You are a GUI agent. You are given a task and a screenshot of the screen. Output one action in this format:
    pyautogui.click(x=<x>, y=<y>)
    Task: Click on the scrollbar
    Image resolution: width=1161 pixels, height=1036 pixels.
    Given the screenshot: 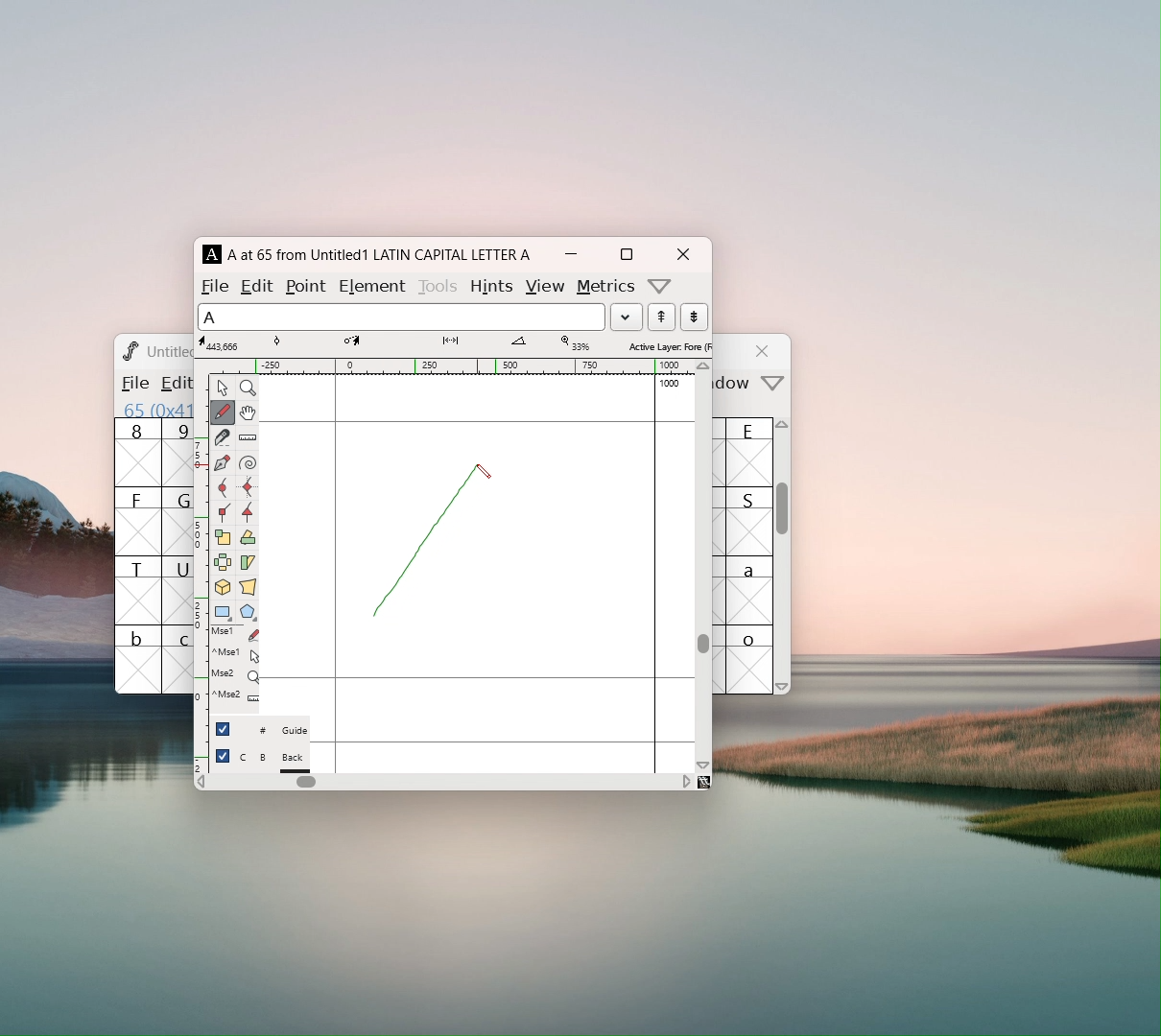 What is the action you would take?
    pyautogui.click(x=703, y=643)
    